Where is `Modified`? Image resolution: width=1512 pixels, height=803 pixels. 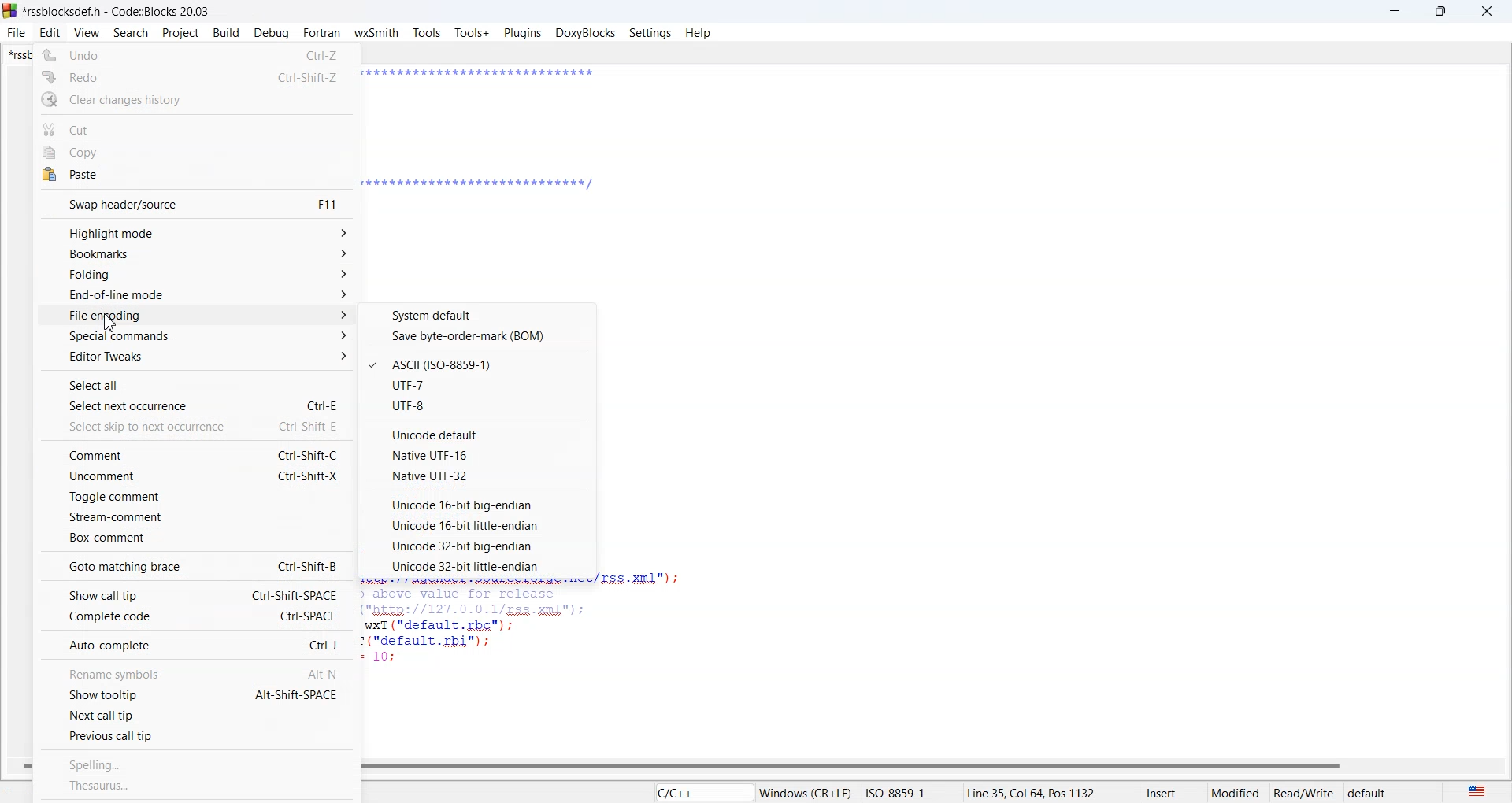 Modified is located at coordinates (1237, 791).